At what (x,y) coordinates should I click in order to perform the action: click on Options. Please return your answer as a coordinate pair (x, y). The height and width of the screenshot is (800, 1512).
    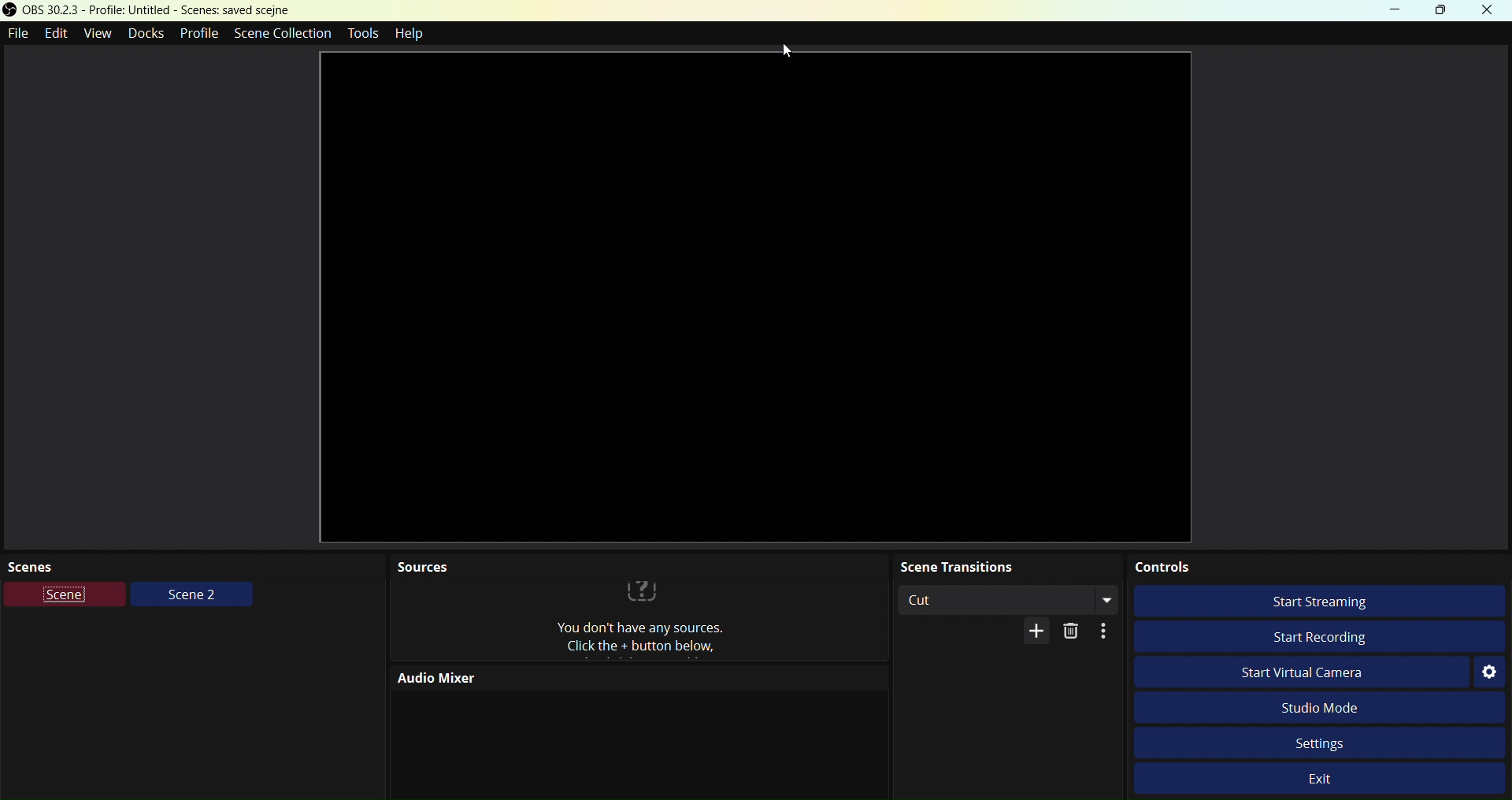
    Looking at the image, I should click on (1103, 631).